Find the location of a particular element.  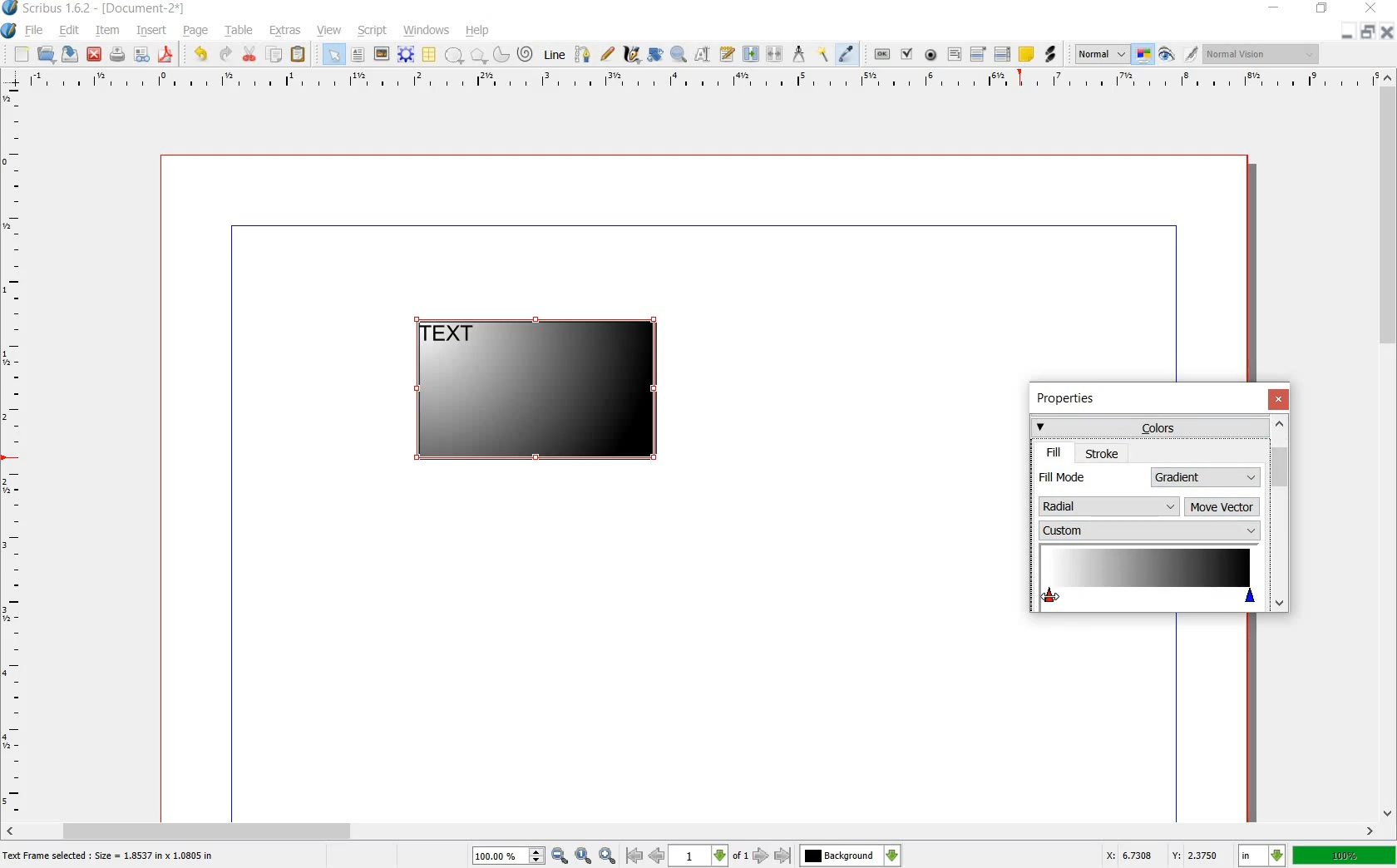

view is located at coordinates (330, 31).